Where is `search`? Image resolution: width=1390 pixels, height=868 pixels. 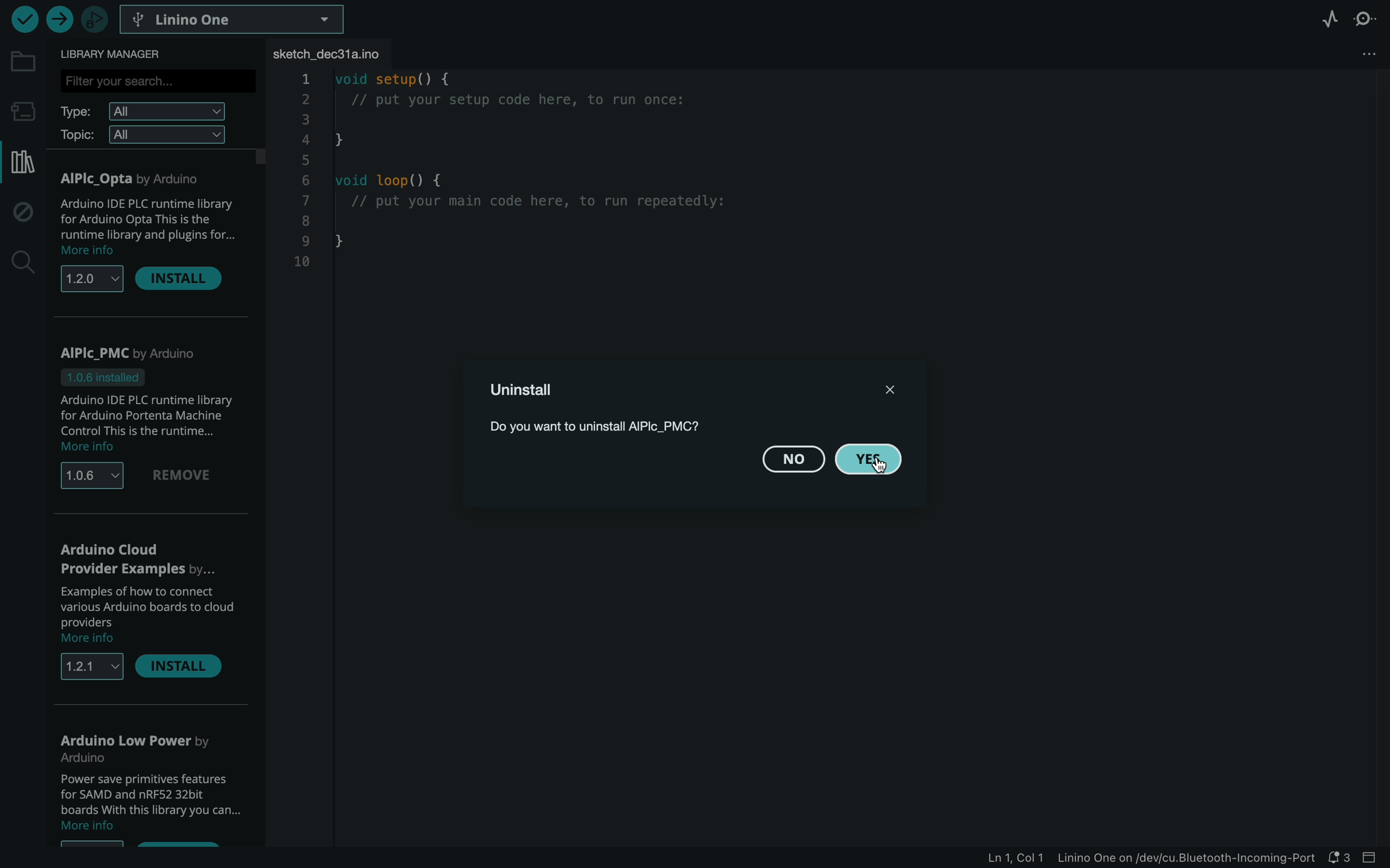
search is located at coordinates (20, 262).